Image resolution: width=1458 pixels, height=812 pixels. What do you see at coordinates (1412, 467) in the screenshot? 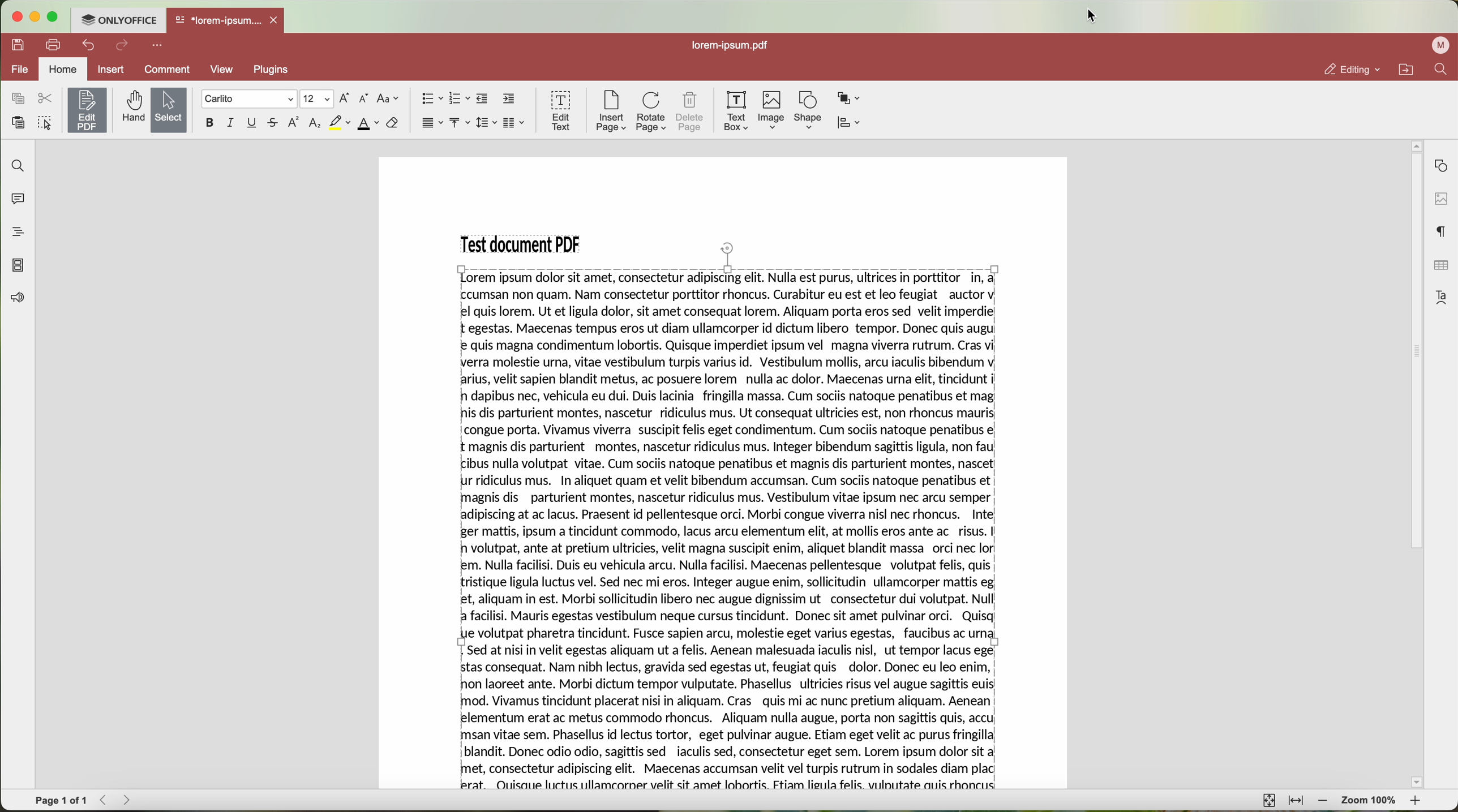
I see `scroll bar` at bounding box center [1412, 467].